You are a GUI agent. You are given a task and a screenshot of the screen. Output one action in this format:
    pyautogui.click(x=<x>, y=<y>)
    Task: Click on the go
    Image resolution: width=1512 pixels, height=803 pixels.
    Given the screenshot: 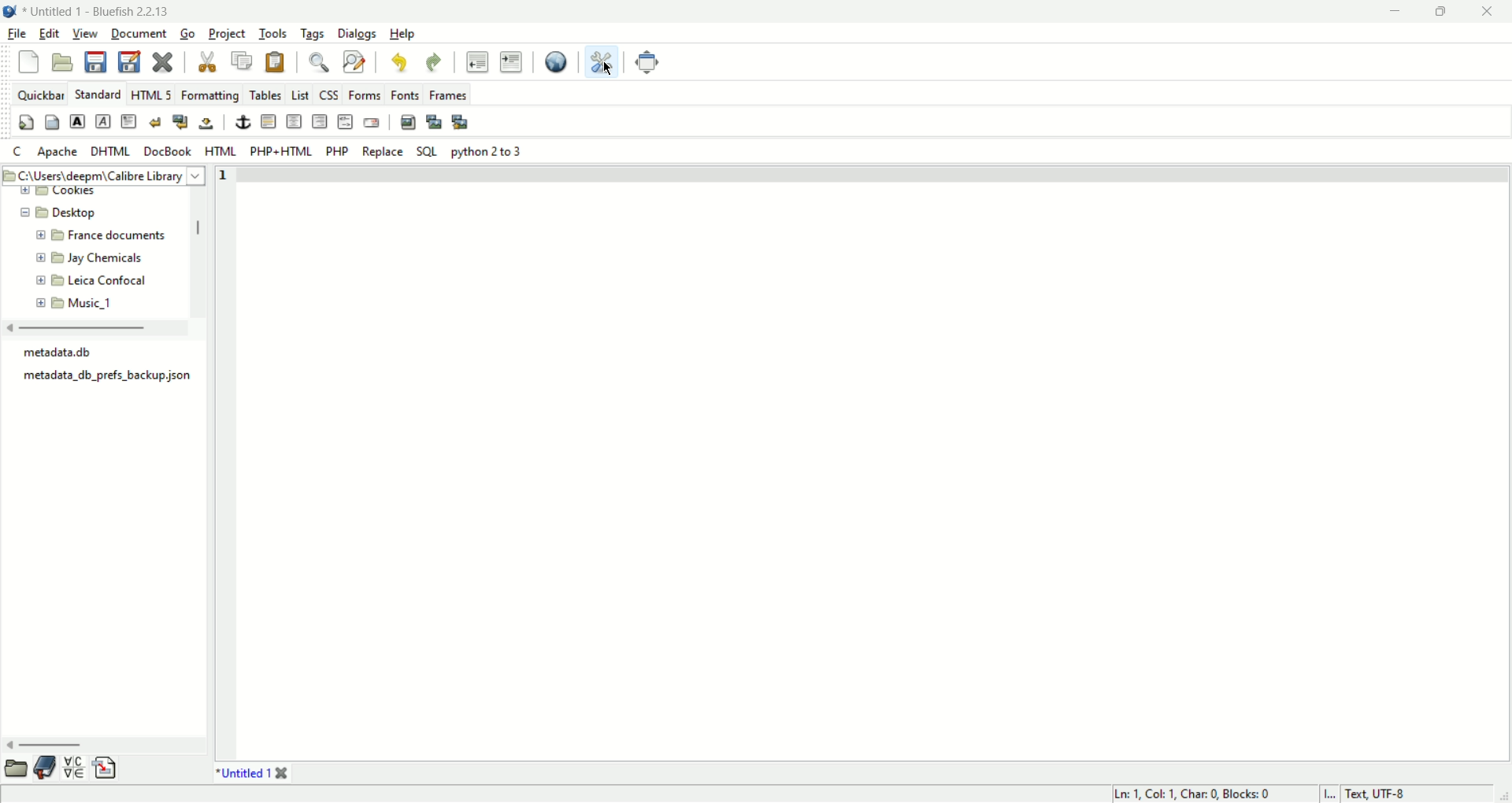 What is the action you would take?
    pyautogui.click(x=188, y=35)
    